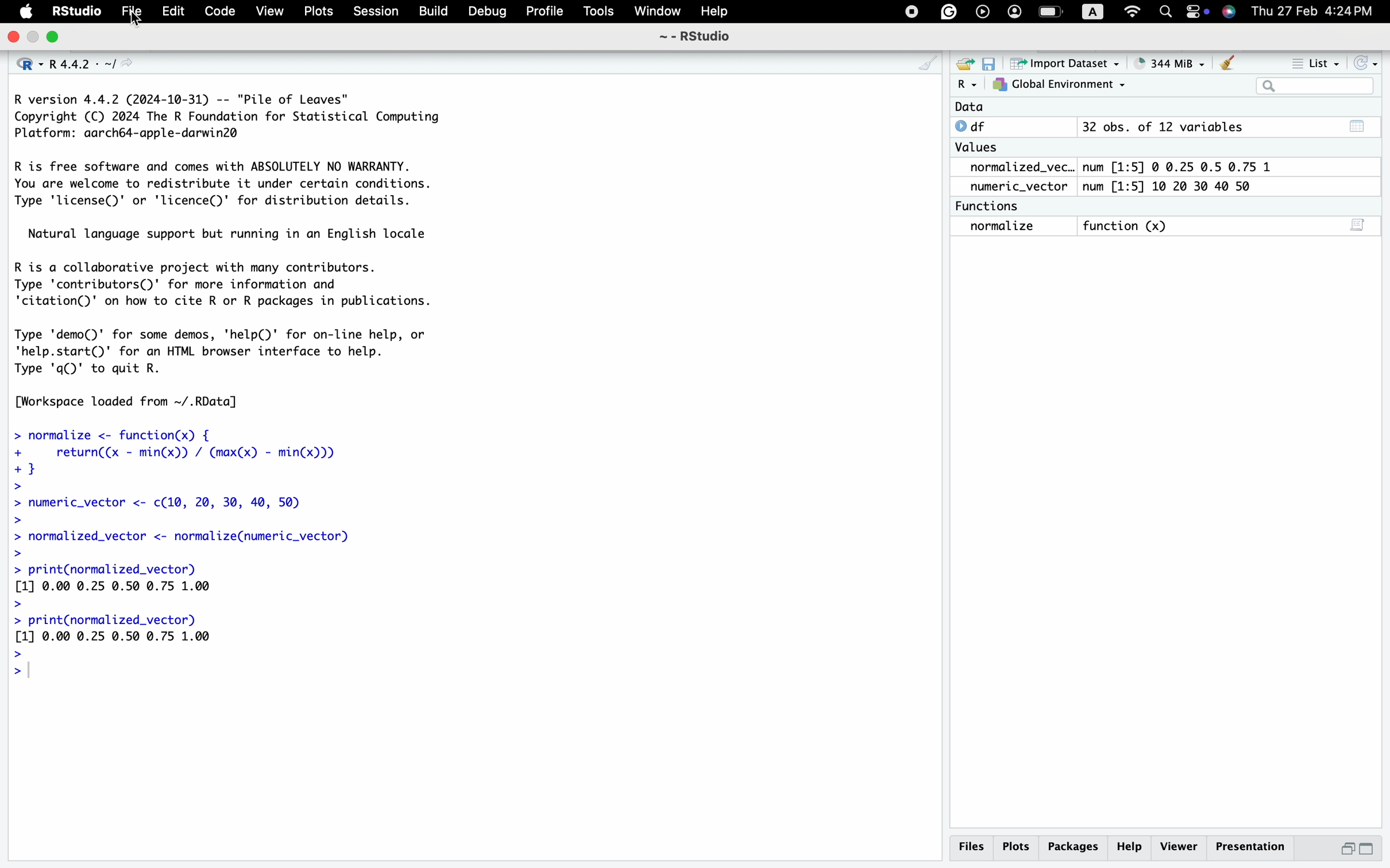 This screenshot has width=1390, height=868. Describe the element at coordinates (1368, 850) in the screenshot. I see `maximize` at that location.